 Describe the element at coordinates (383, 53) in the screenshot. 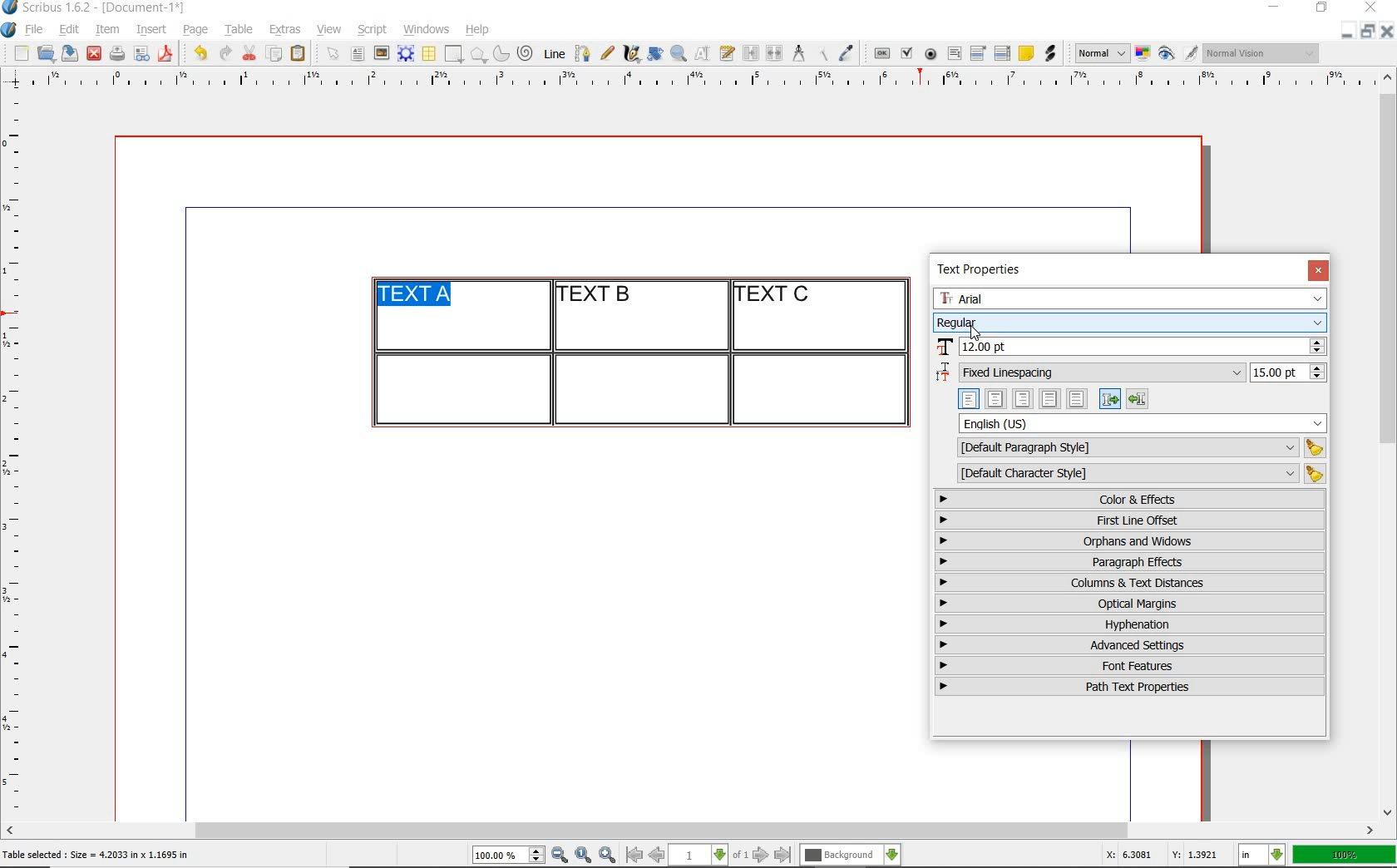

I see `image frame` at that location.